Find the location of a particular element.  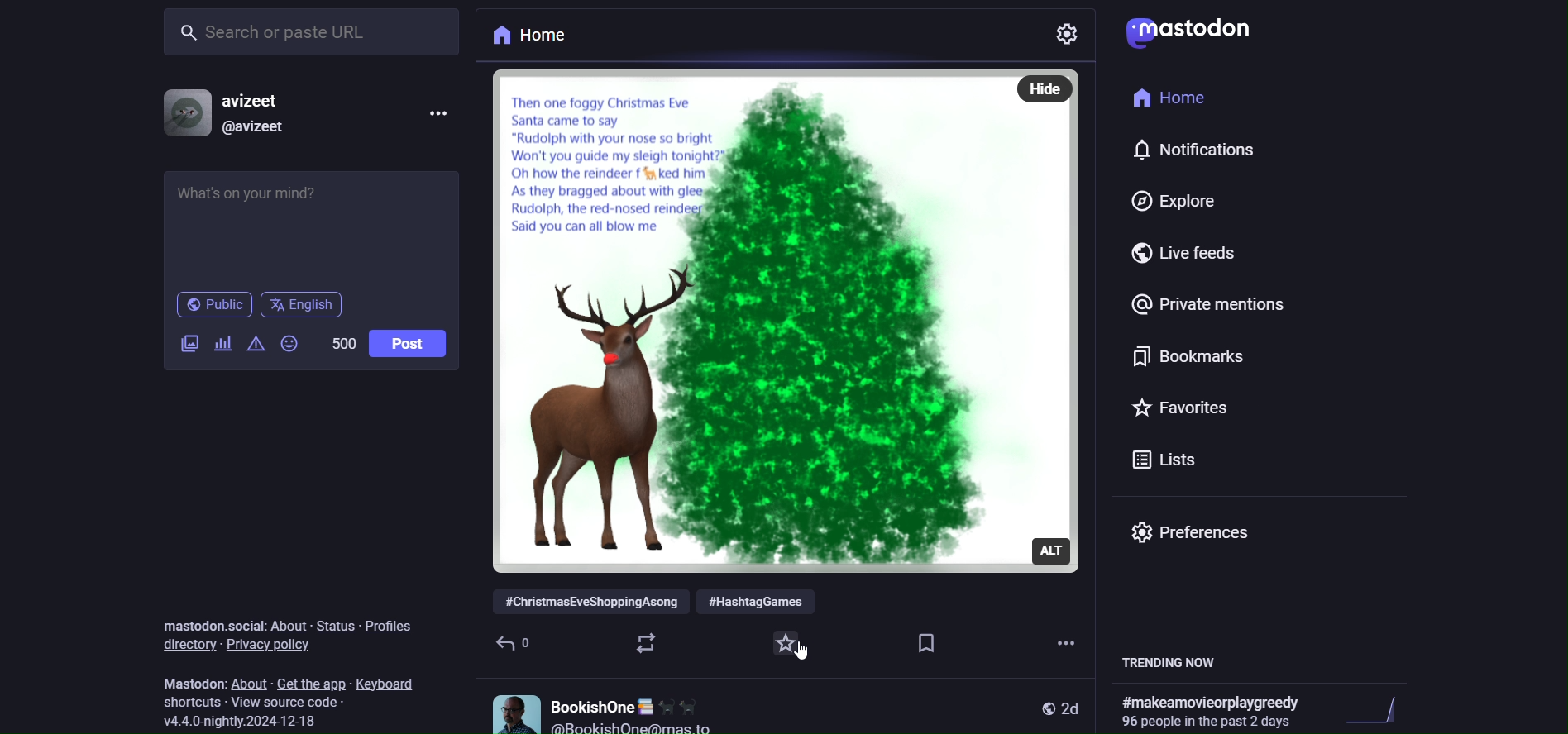

content warning is located at coordinates (259, 343).